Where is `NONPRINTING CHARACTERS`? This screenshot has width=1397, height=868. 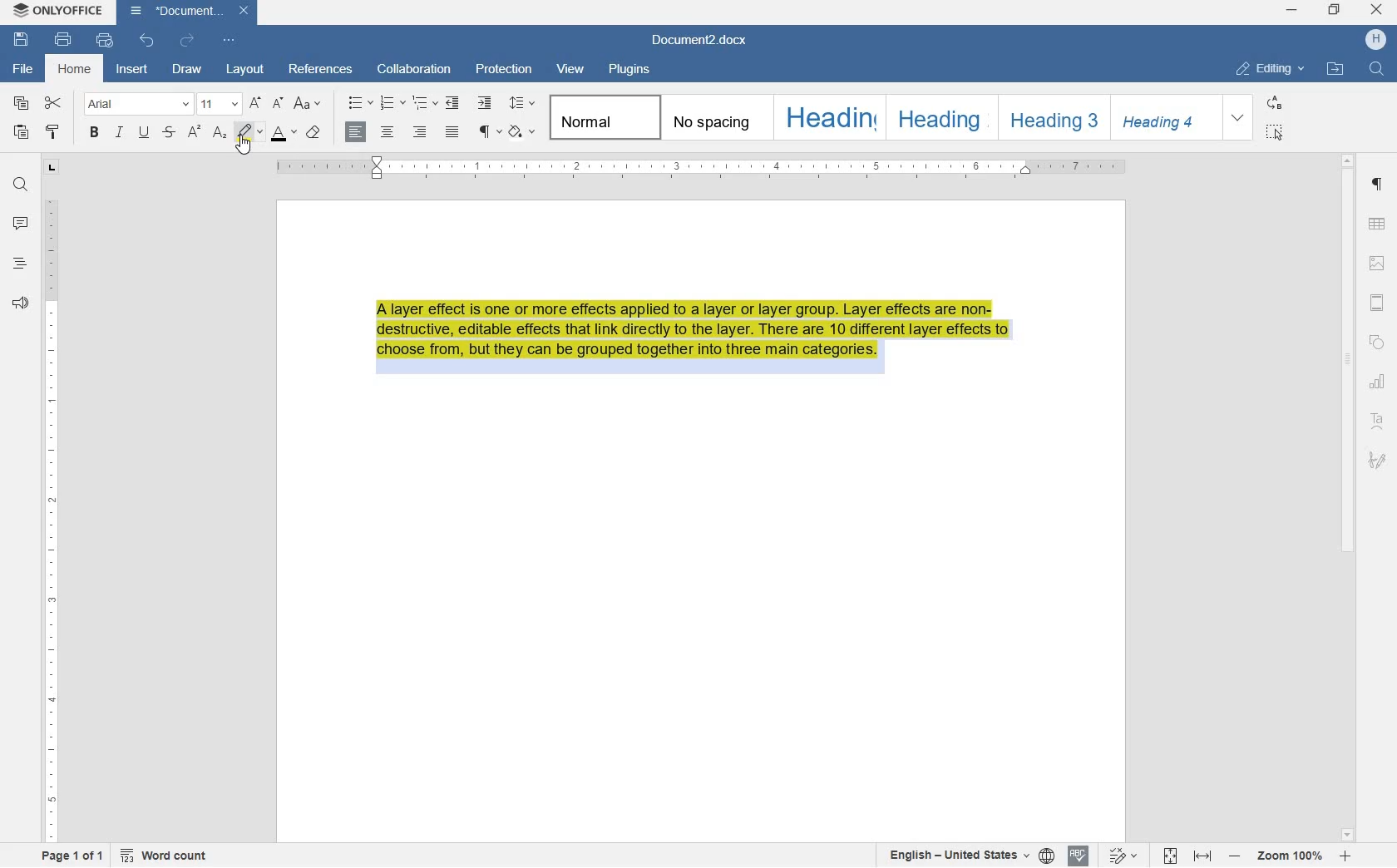
NONPRINTING CHARACTERS is located at coordinates (488, 132).